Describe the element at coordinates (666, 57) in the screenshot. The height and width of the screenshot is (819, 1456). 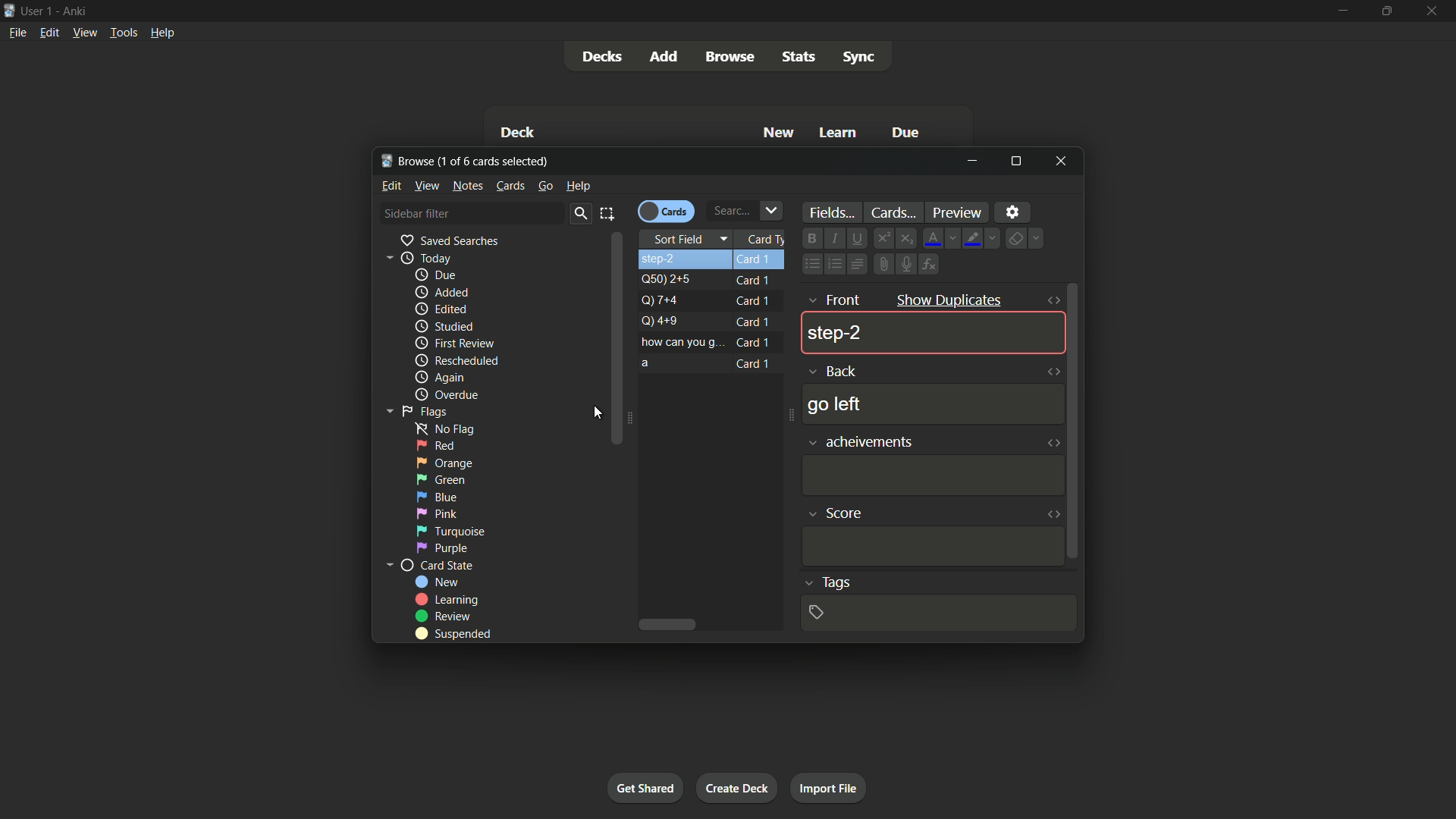
I see `Add` at that location.